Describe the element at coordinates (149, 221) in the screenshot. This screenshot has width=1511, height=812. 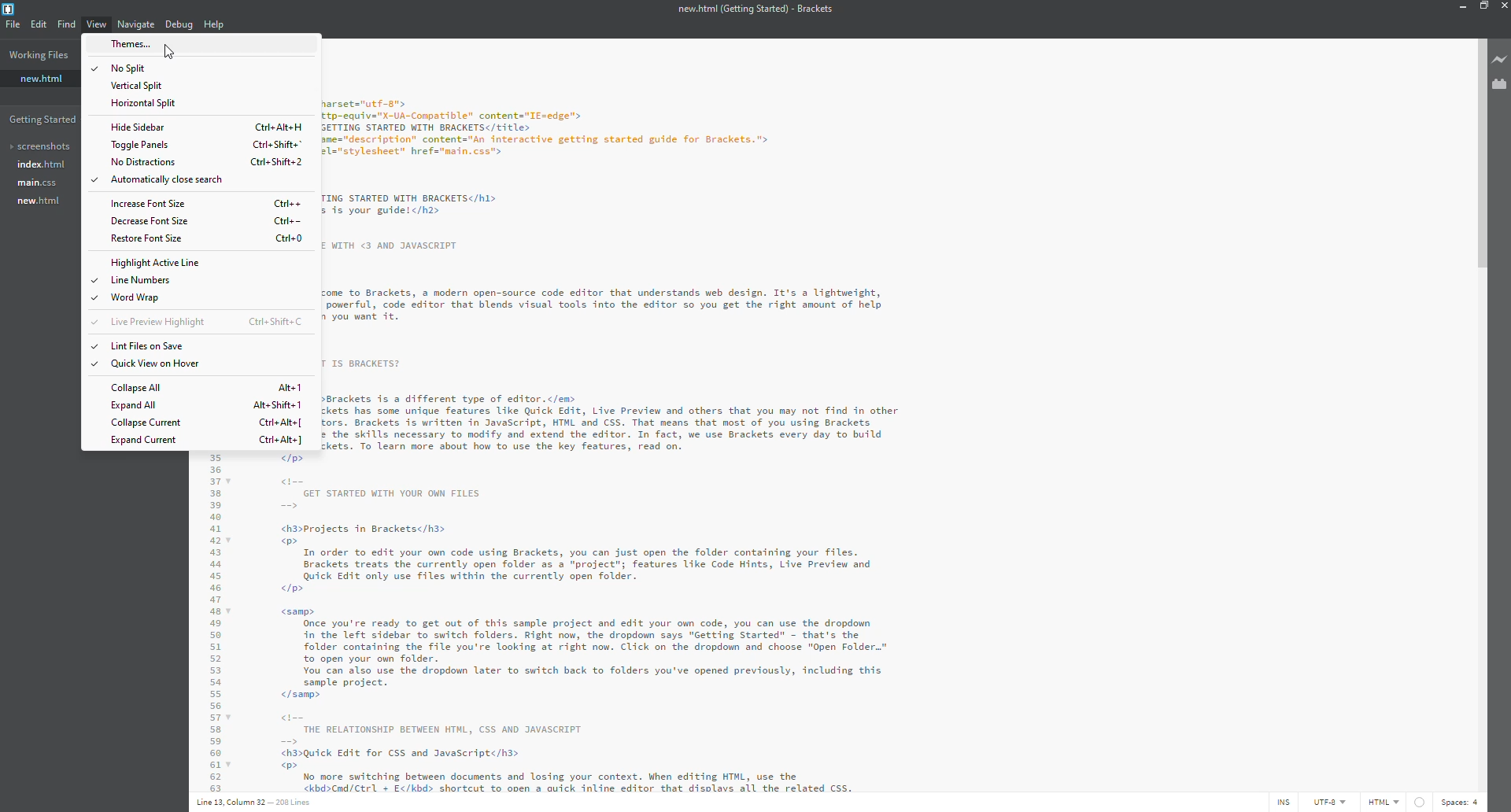
I see `decrease font size` at that location.